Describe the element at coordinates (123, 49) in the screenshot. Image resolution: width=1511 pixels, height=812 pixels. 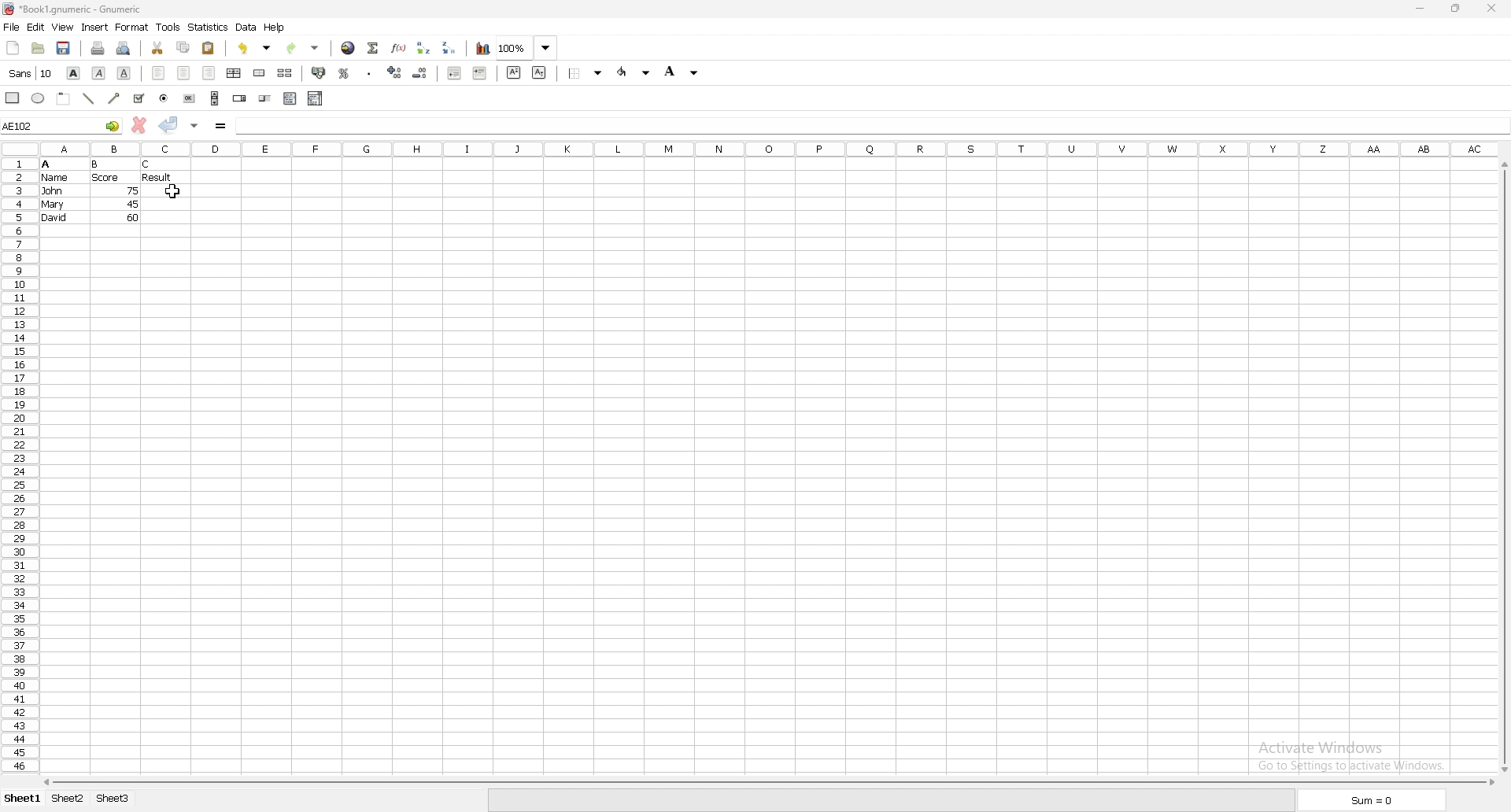
I see `print preview` at that location.